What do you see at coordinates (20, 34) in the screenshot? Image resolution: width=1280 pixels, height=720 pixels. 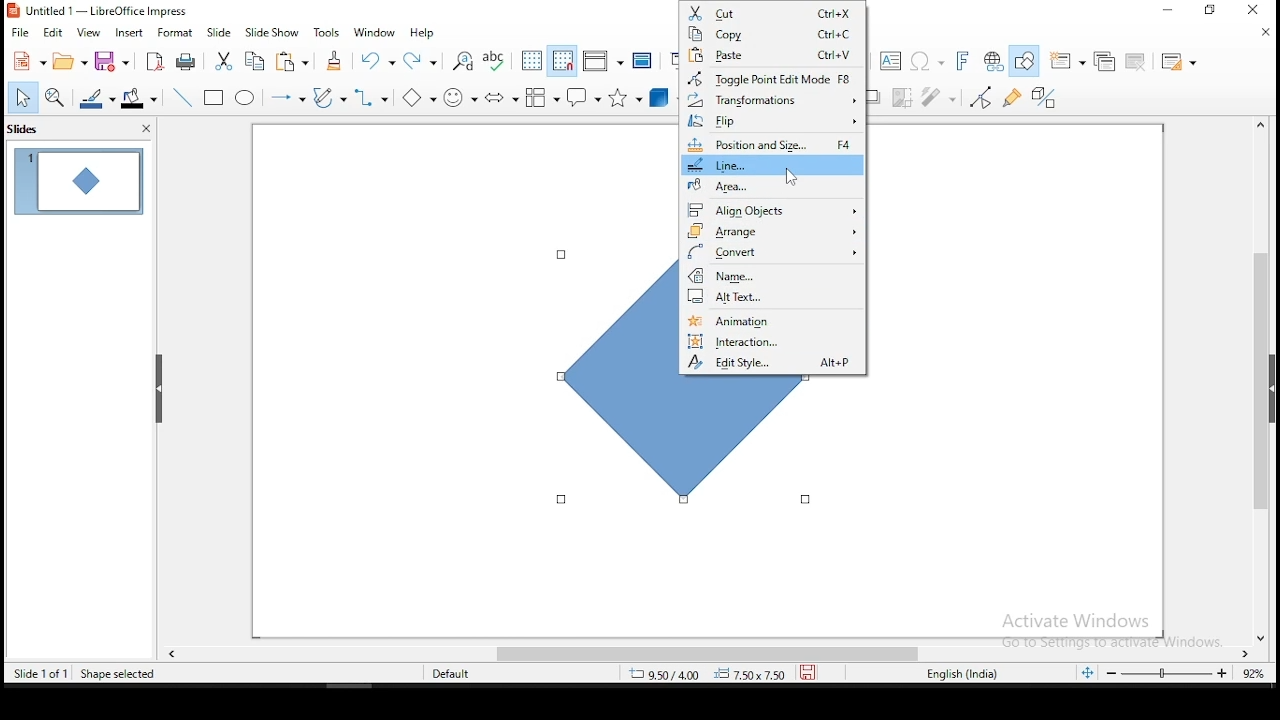 I see `file` at bounding box center [20, 34].